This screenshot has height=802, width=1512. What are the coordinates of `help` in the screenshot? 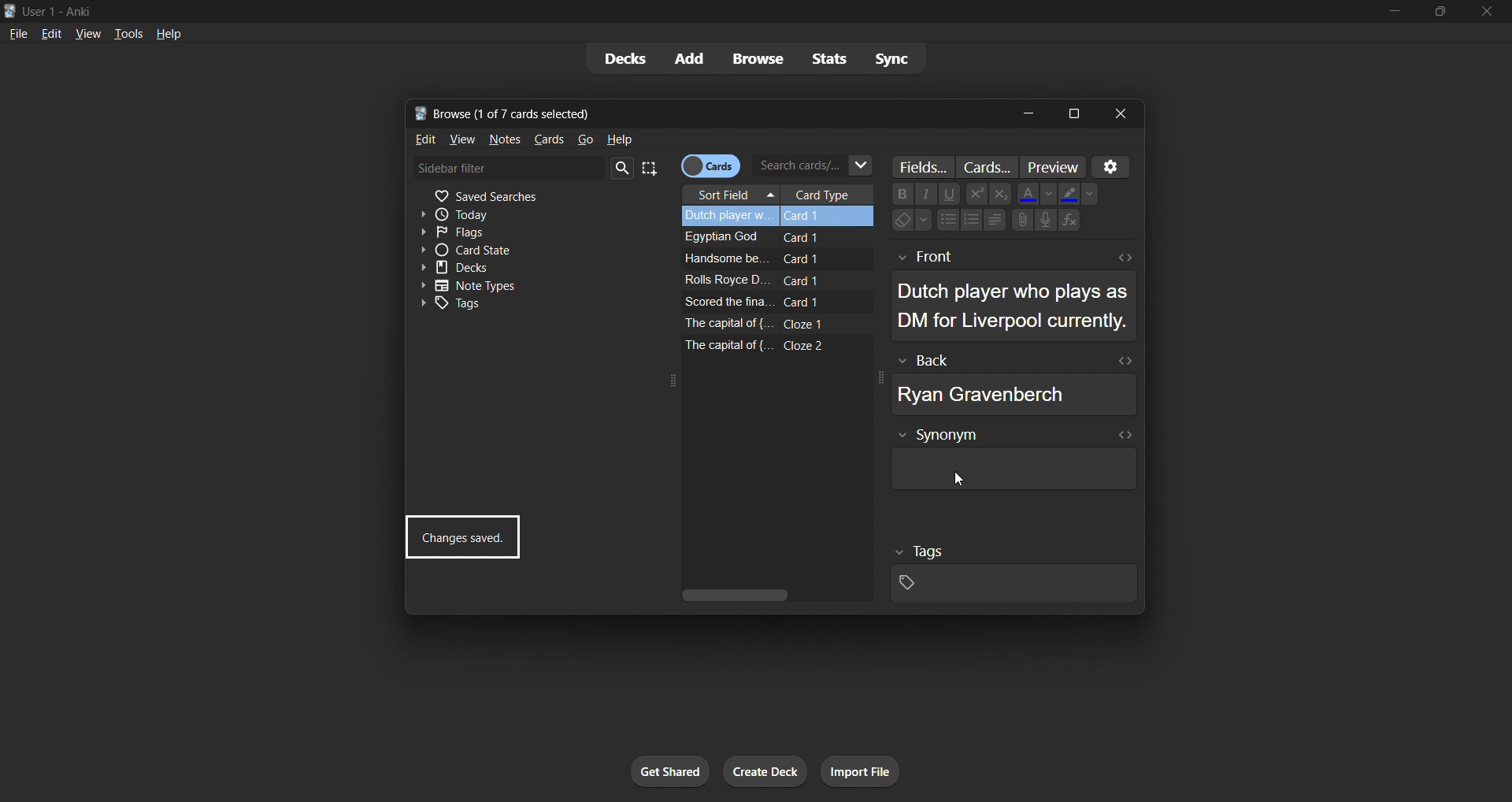 It's located at (166, 35).